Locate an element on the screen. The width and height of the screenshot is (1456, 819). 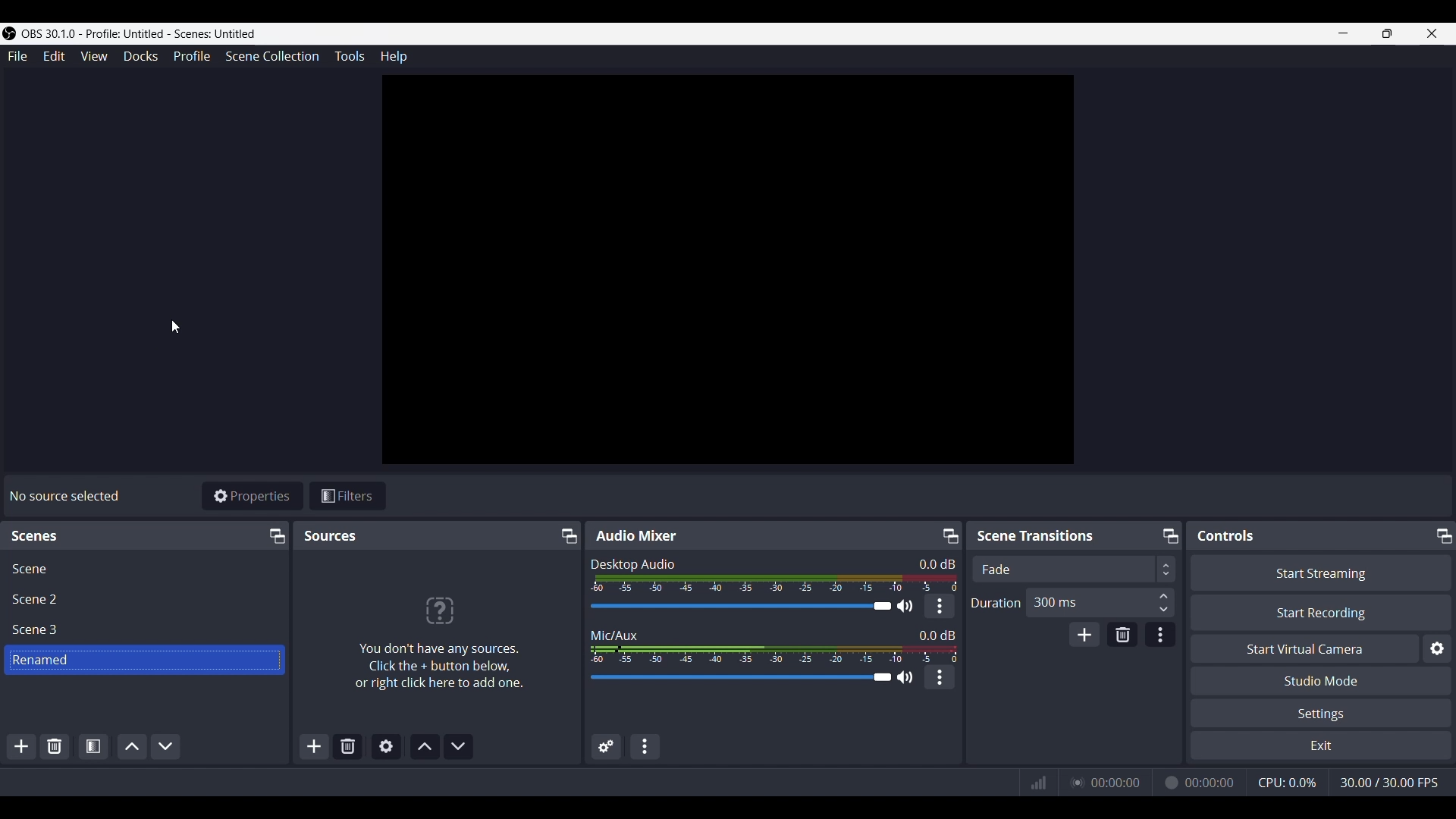
Audio Level Indicator is located at coordinates (932, 563).